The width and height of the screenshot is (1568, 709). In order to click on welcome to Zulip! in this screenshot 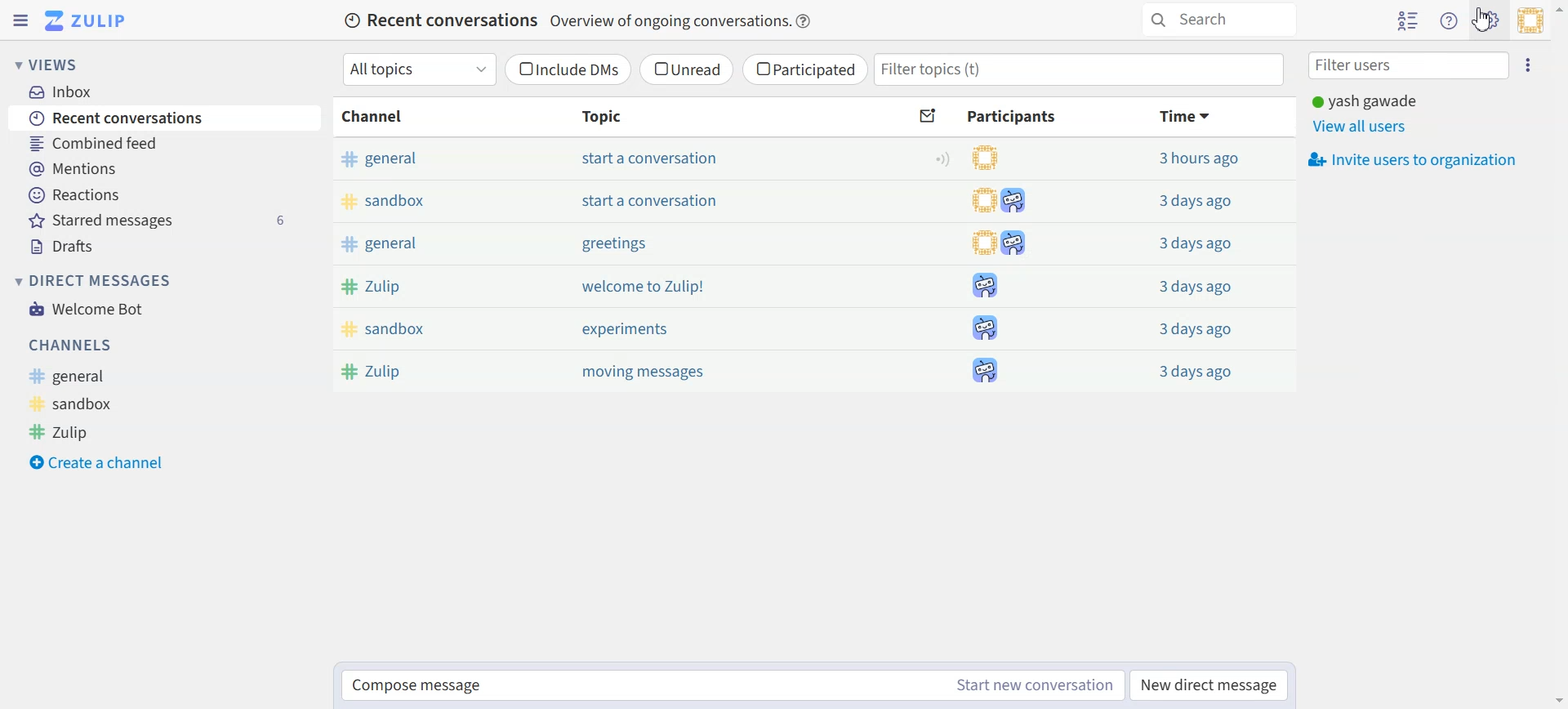, I will do `click(643, 287)`.